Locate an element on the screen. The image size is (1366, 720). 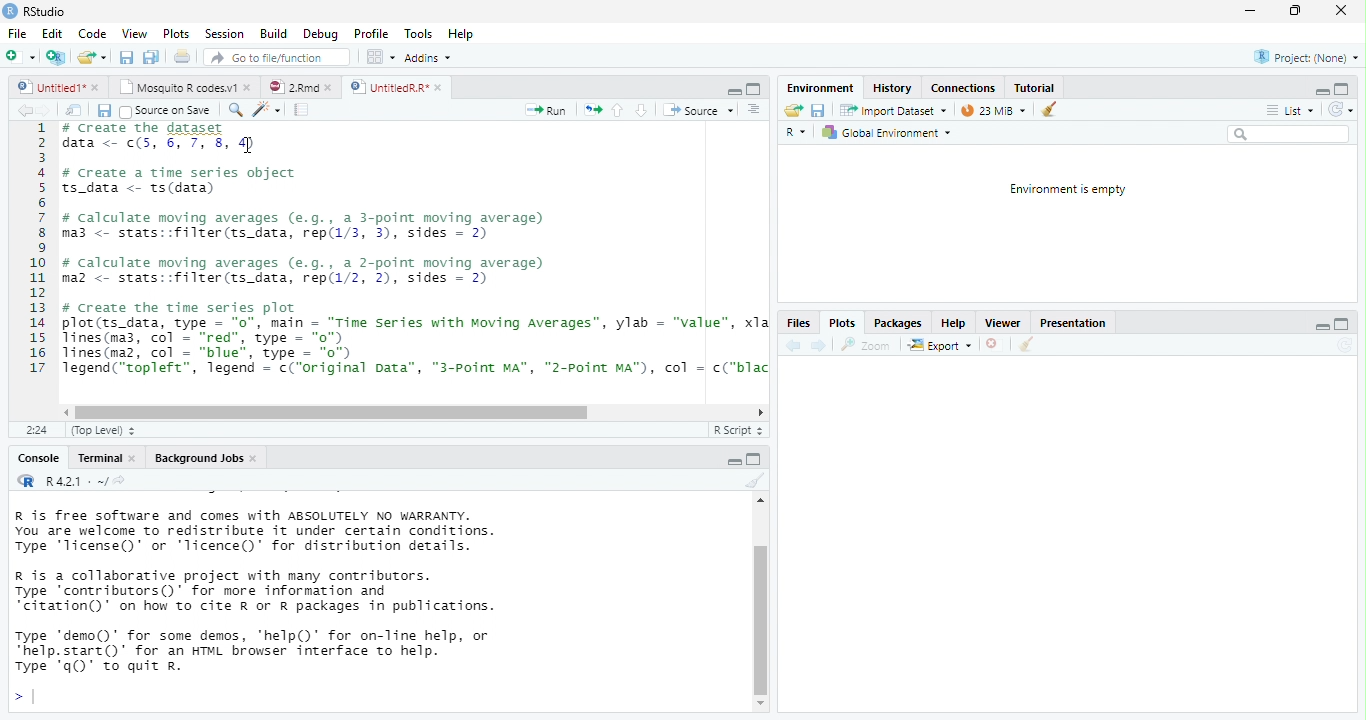
back is located at coordinates (791, 345).